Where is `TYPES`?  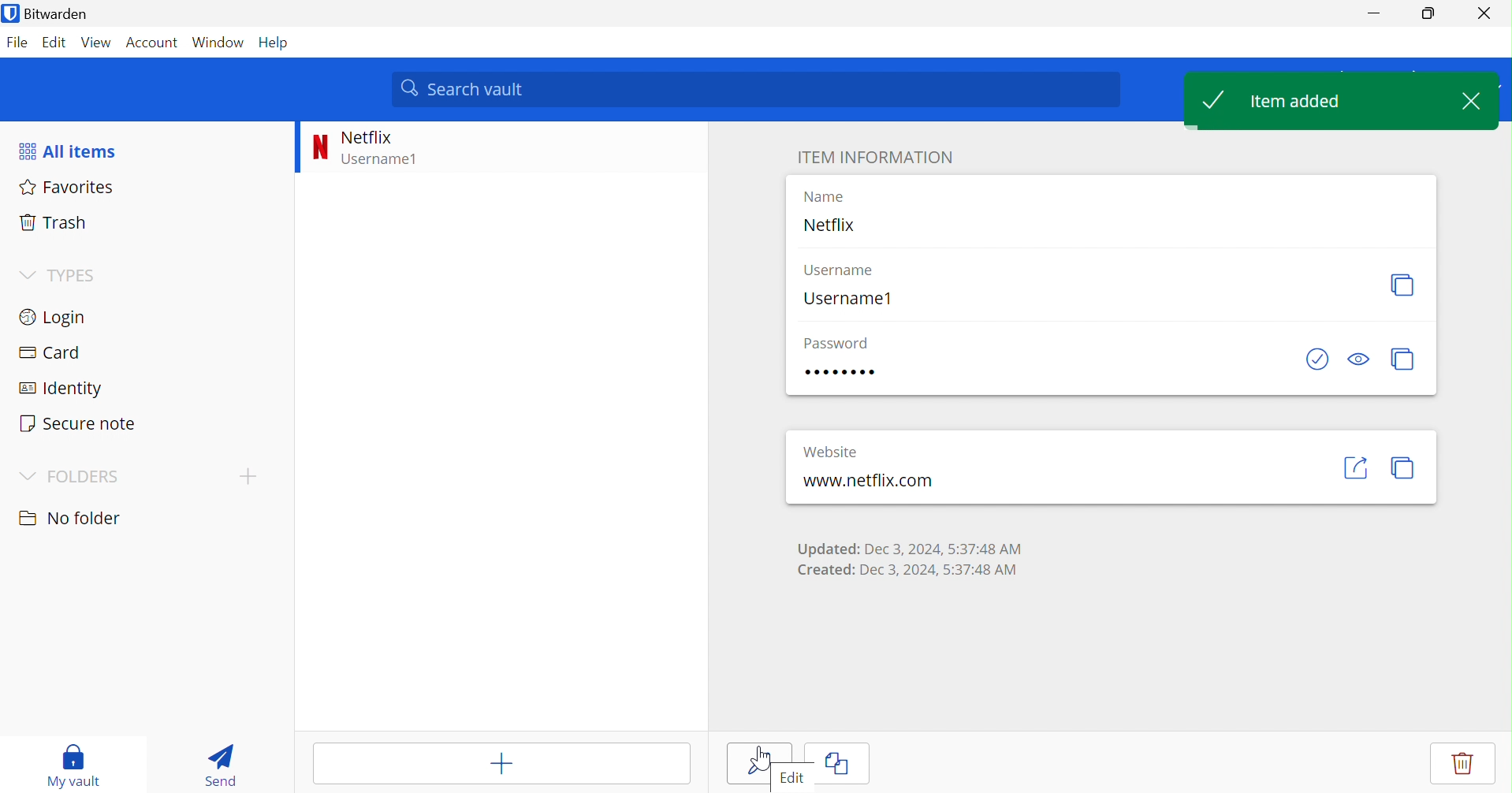
TYPES is located at coordinates (60, 275).